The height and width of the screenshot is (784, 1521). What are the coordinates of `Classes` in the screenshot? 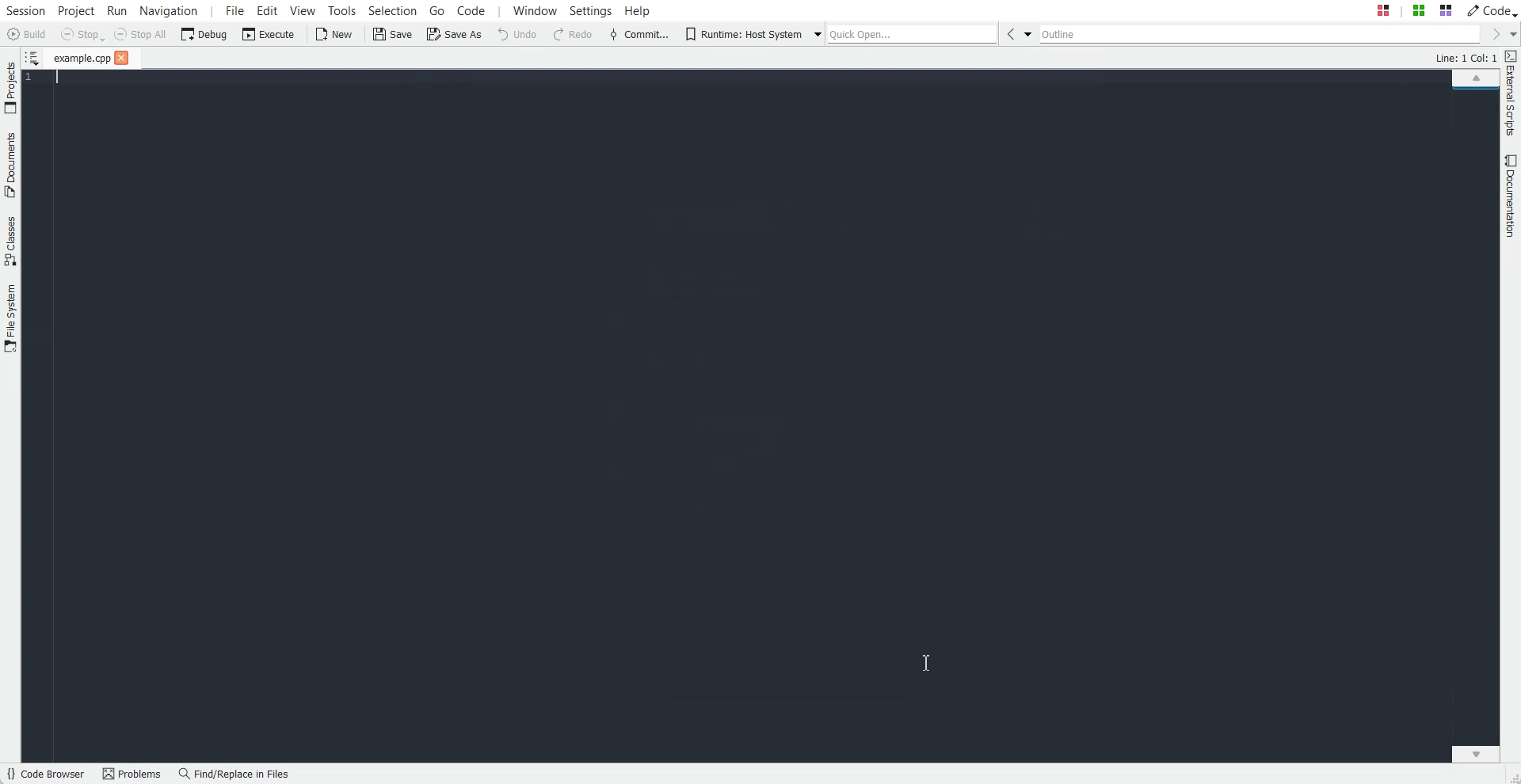 It's located at (10, 243).